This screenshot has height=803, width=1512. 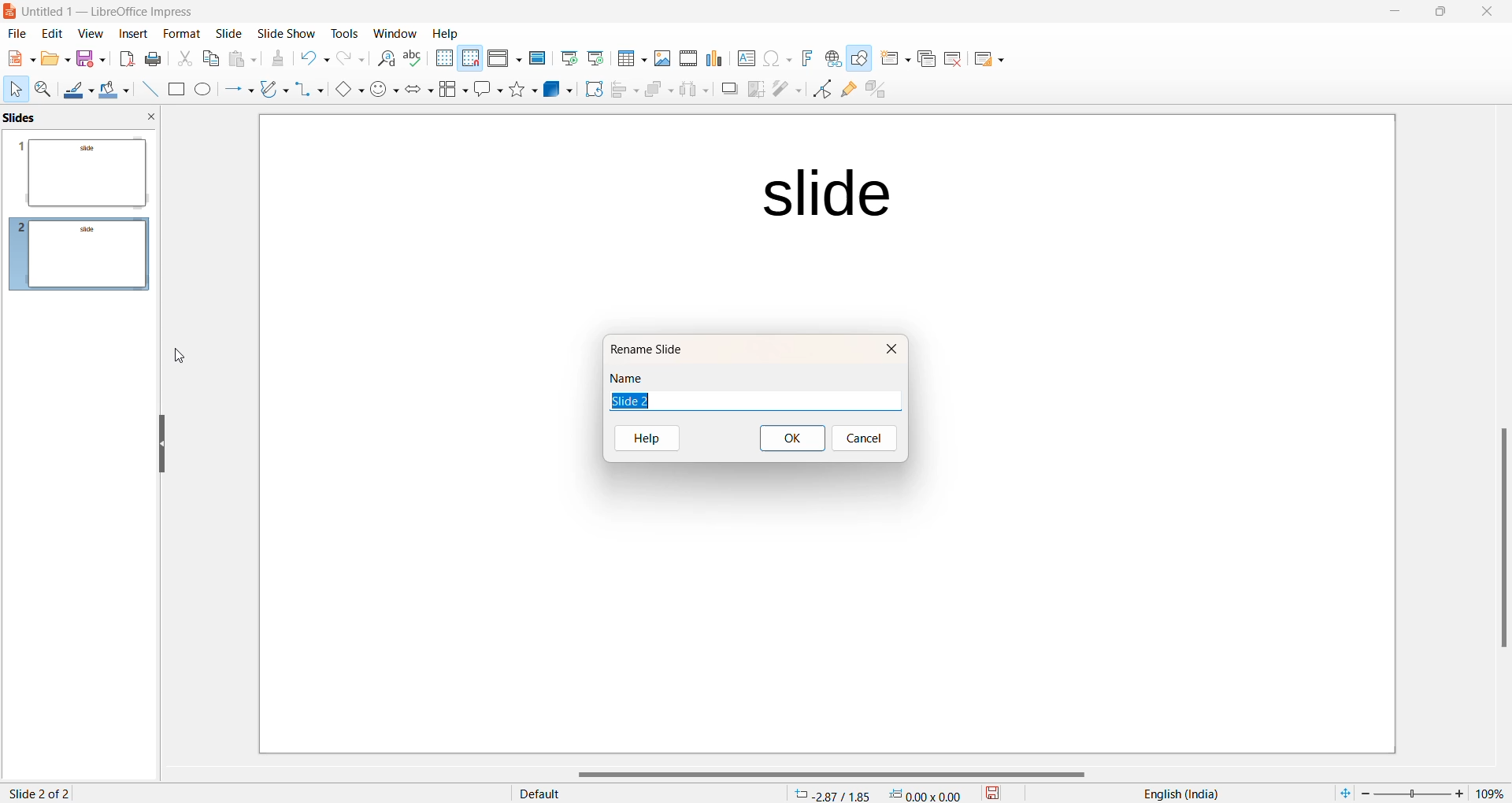 I want to click on current name, so click(x=640, y=401).